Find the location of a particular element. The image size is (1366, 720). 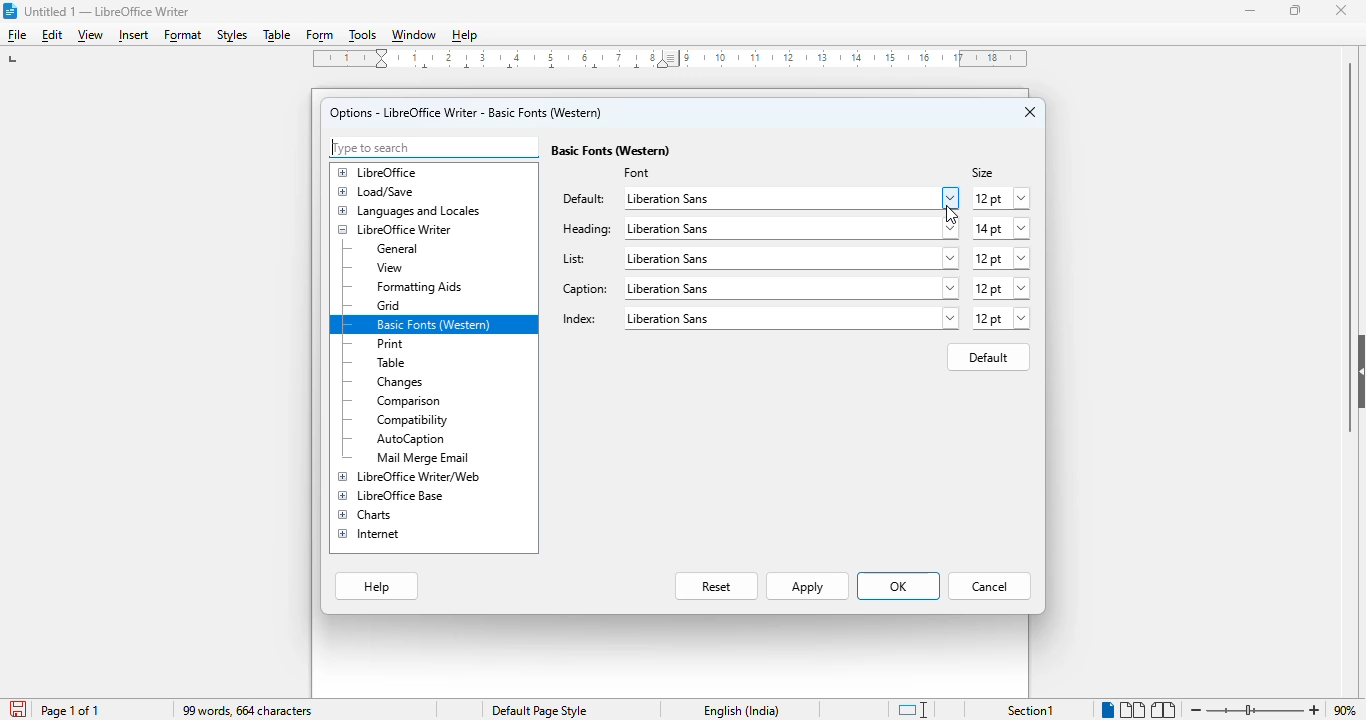

standard selection is located at coordinates (912, 710).